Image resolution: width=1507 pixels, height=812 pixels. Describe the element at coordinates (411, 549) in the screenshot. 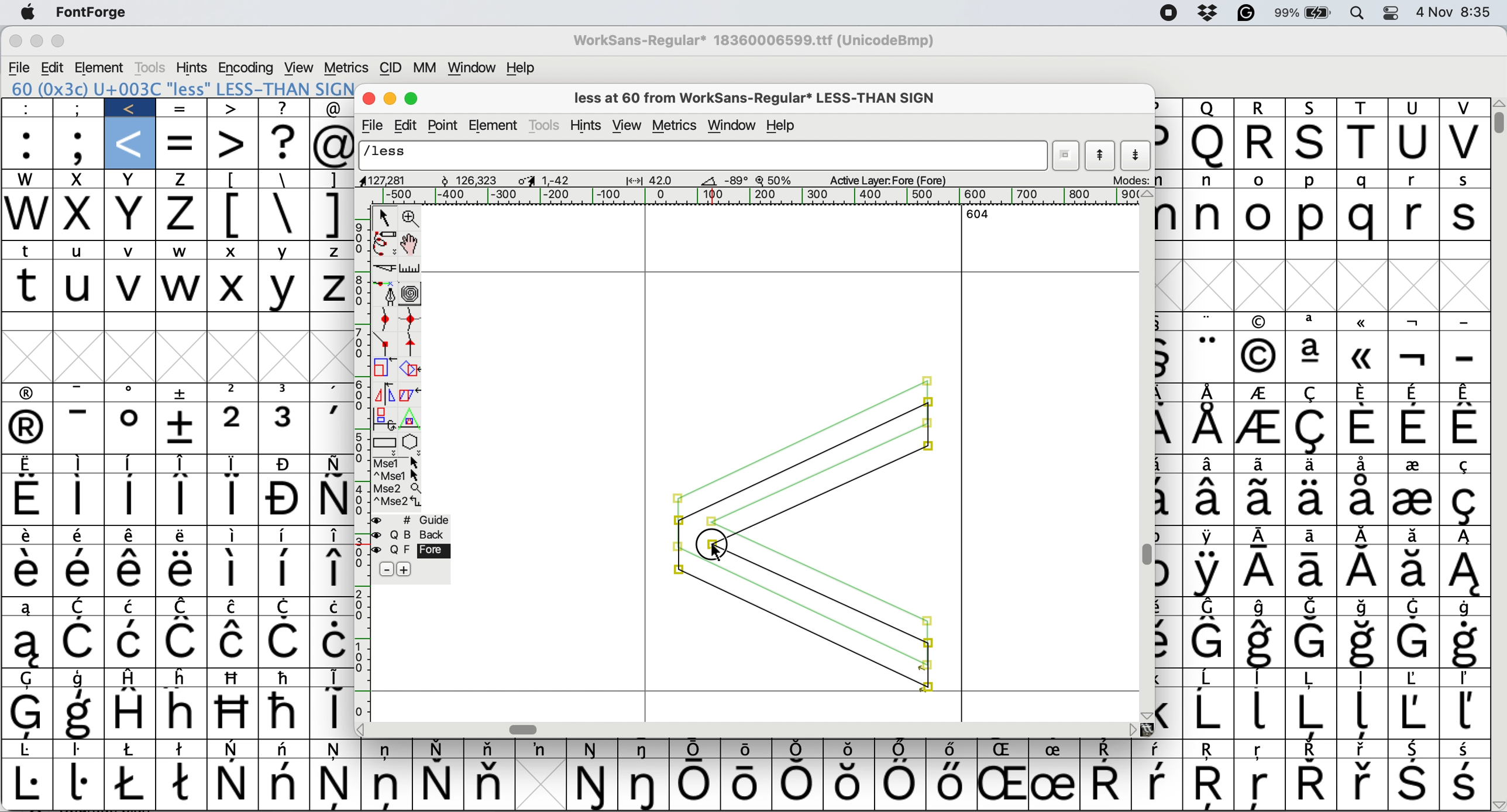

I see `fore` at that location.